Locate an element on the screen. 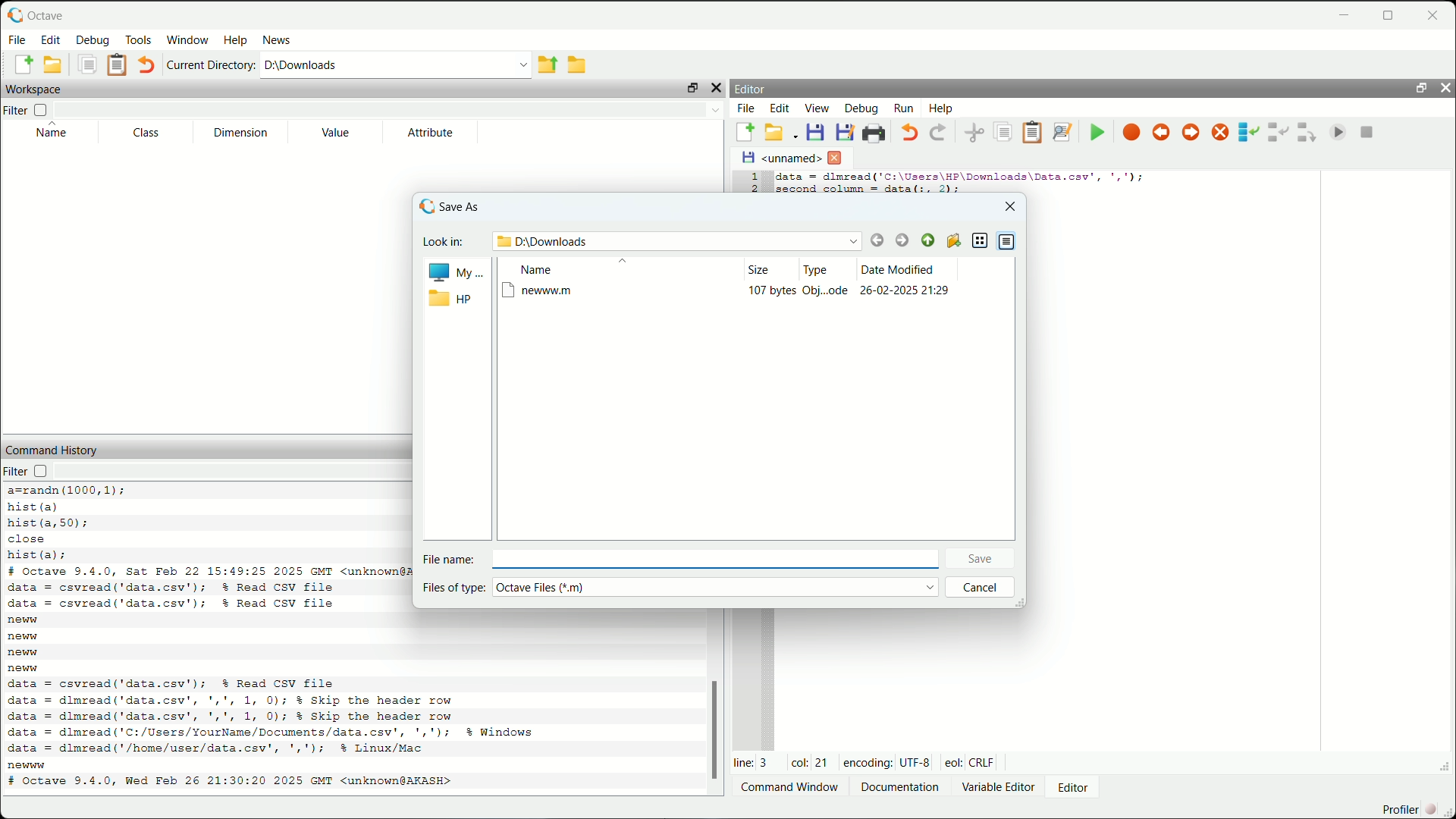 The image size is (1456, 819). create new folder is located at coordinates (953, 239).